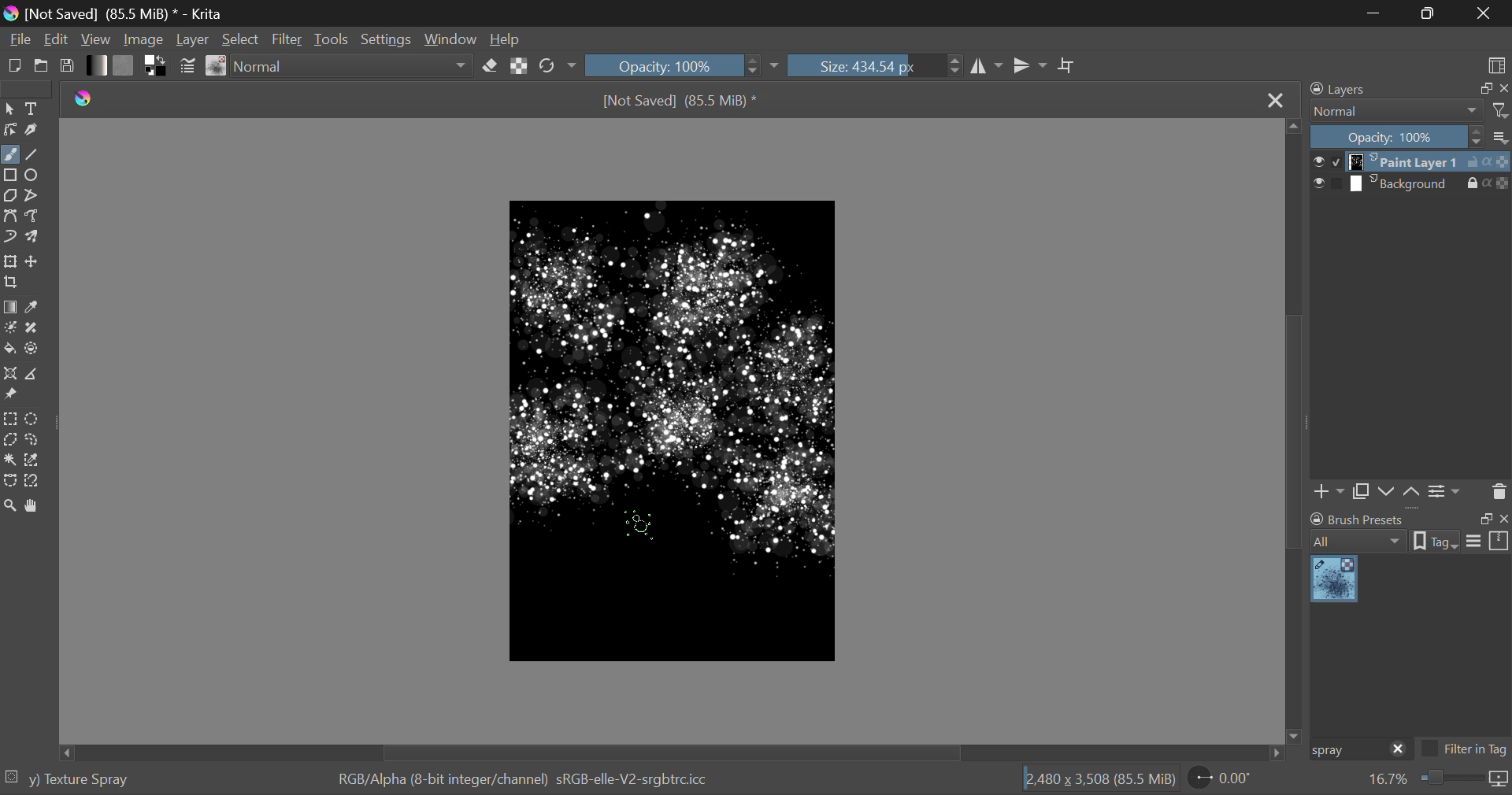 This screenshot has height=795, width=1512. What do you see at coordinates (1431, 12) in the screenshot?
I see `Minimize` at bounding box center [1431, 12].